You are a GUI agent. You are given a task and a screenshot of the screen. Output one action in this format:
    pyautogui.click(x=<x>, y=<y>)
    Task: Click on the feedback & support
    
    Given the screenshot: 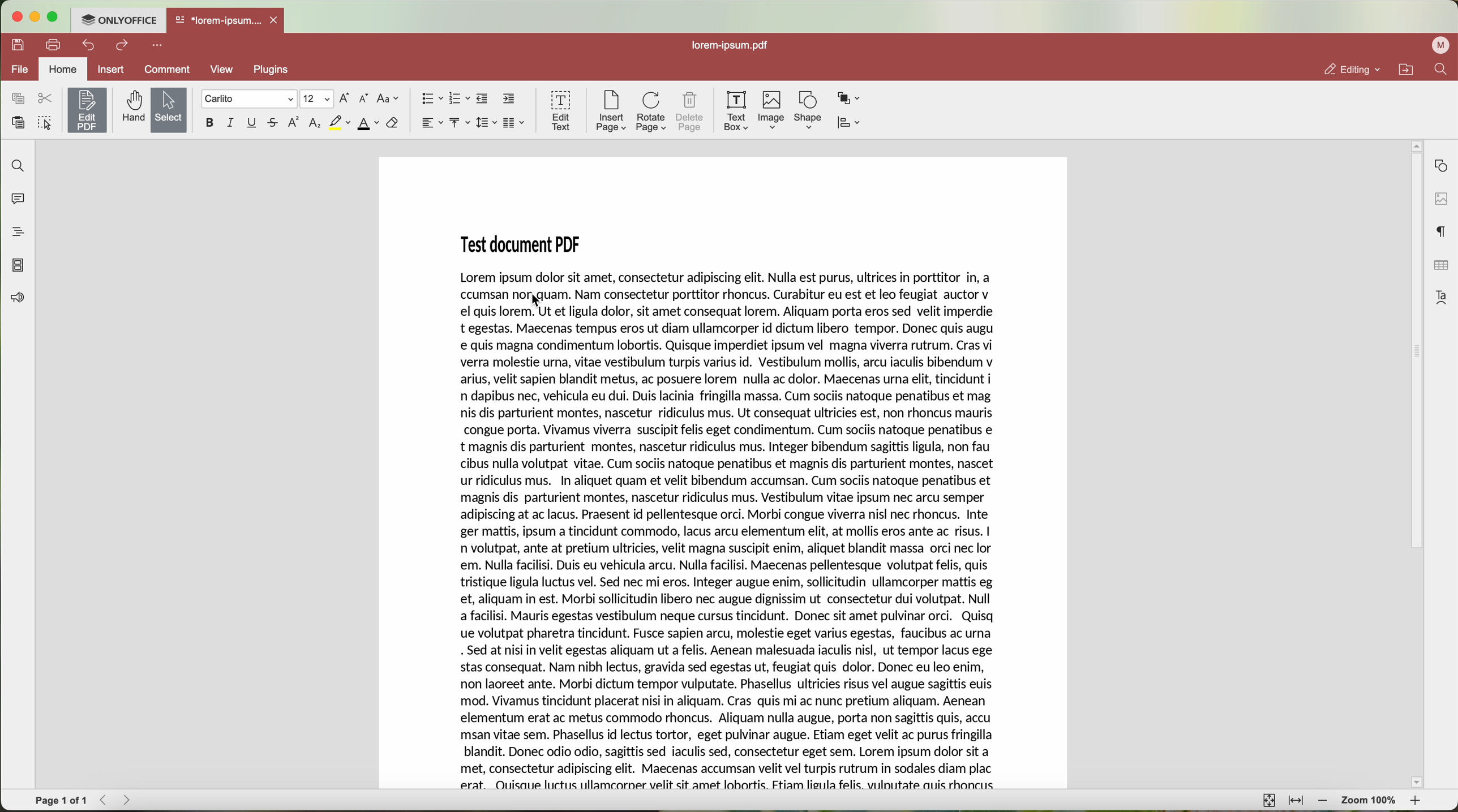 What is the action you would take?
    pyautogui.click(x=20, y=299)
    